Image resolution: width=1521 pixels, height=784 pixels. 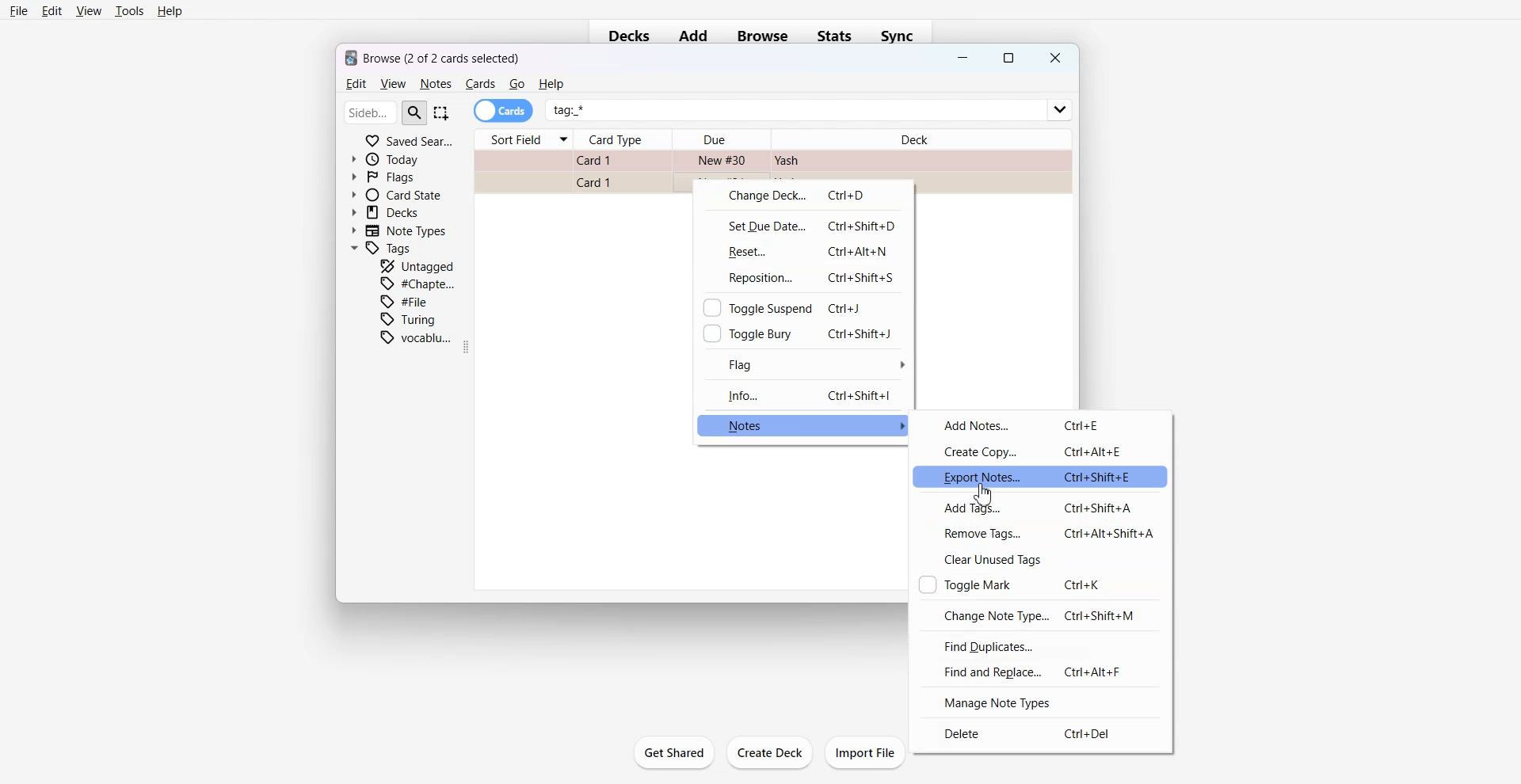 What do you see at coordinates (417, 265) in the screenshot?
I see `Untagged` at bounding box center [417, 265].